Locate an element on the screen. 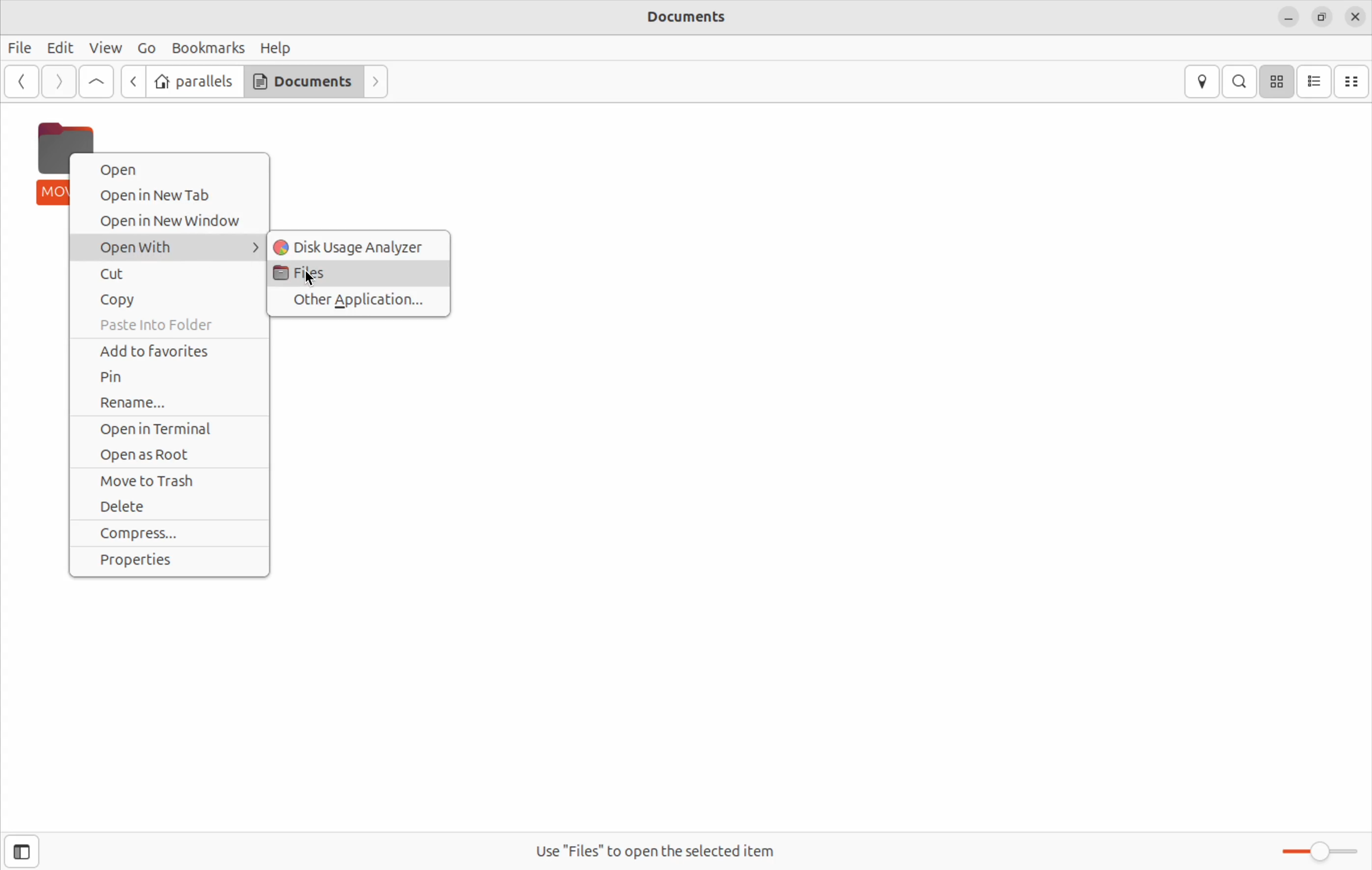 This screenshot has width=1372, height=870. Help is located at coordinates (276, 47).